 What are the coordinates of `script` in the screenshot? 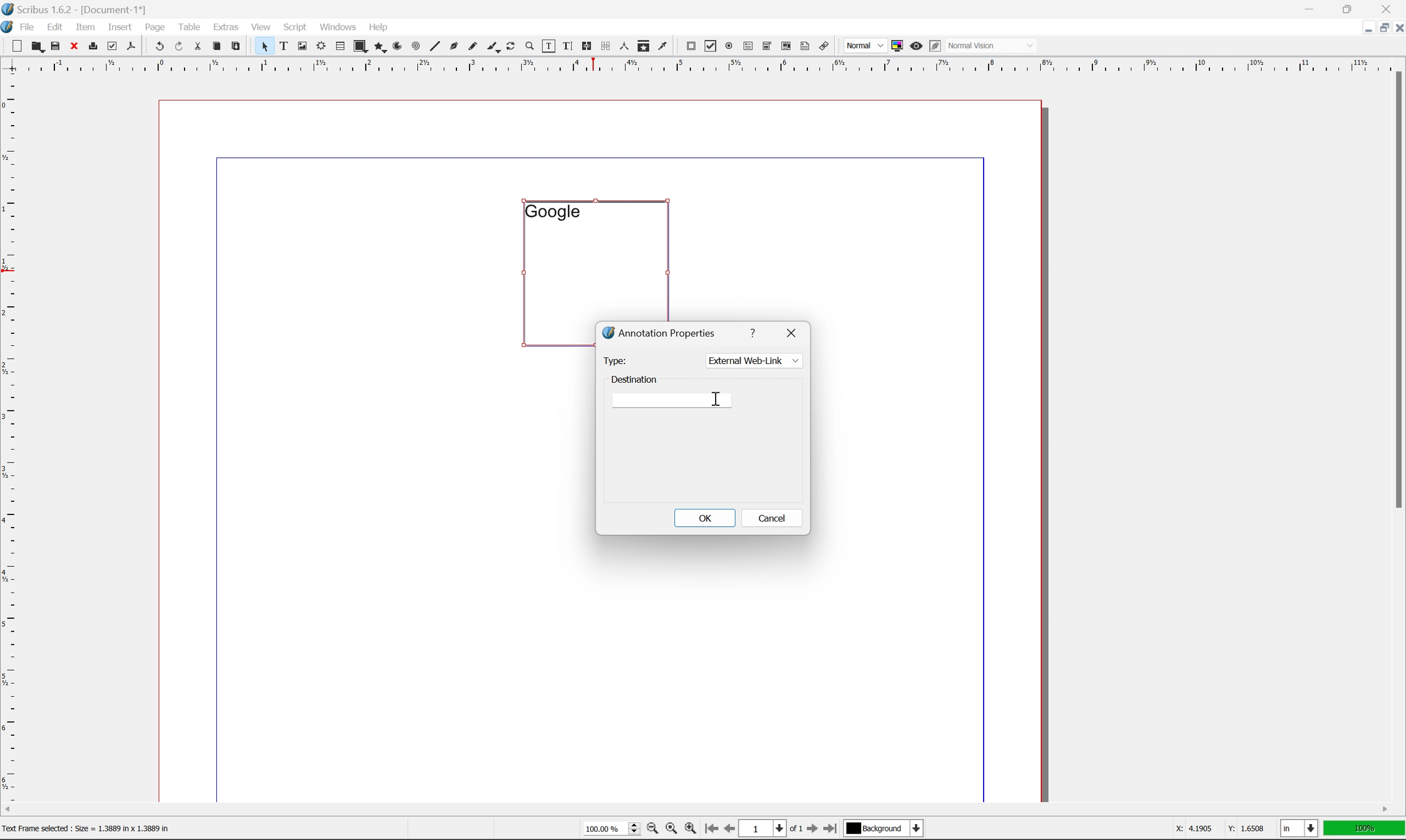 It's located at (295, 27).